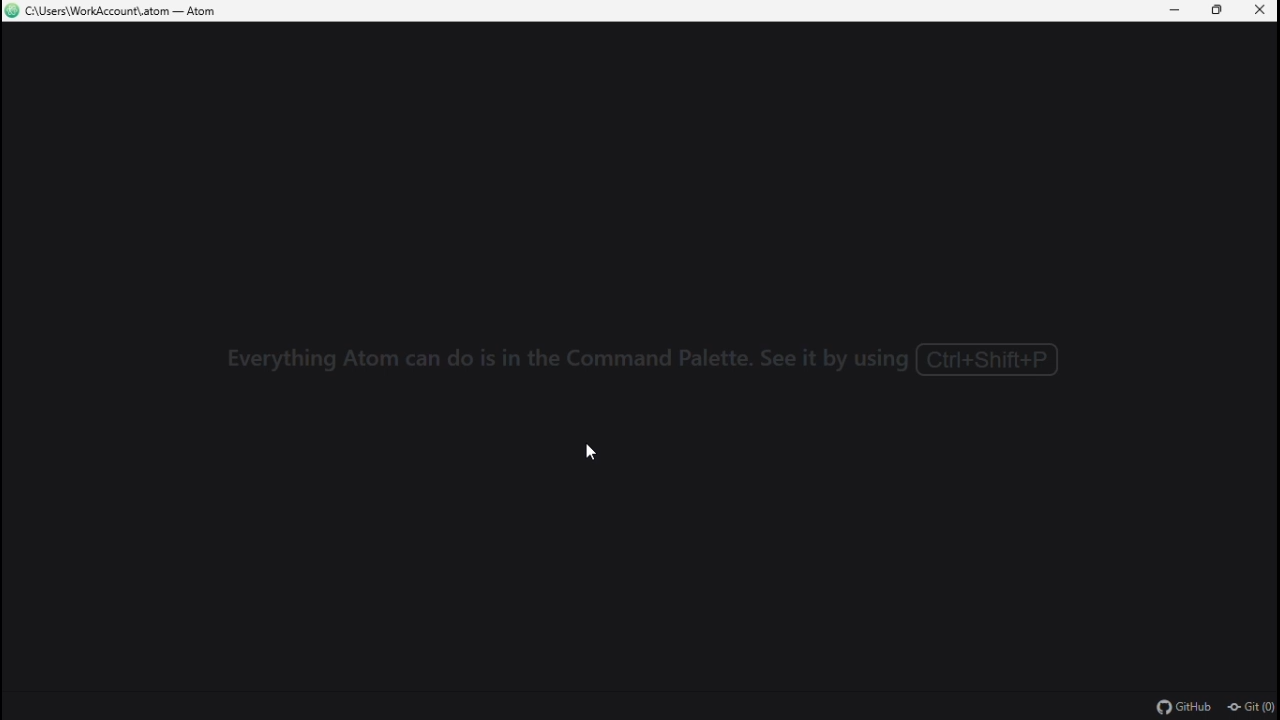 The width and height of the screenshot is (1280, 720). Describe the element at coordinates (645, 360) in the screenshot. I see `Text` at that location.